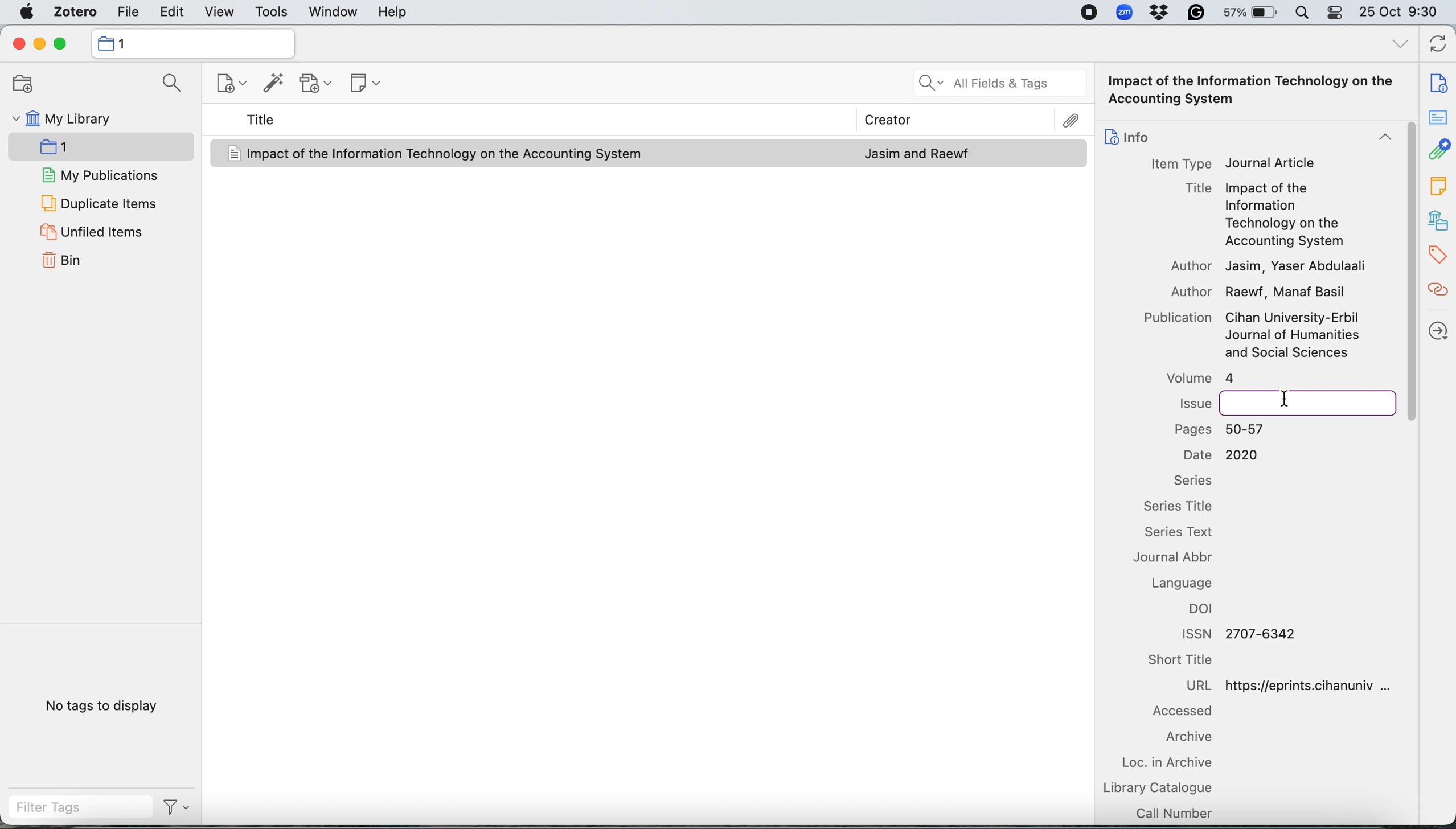 The width and height of the screenshot is (1456, 829). What do you see at coordinates (1197, 378) in the screenshot?
I see `volume` at bounding box center [1197, 378].